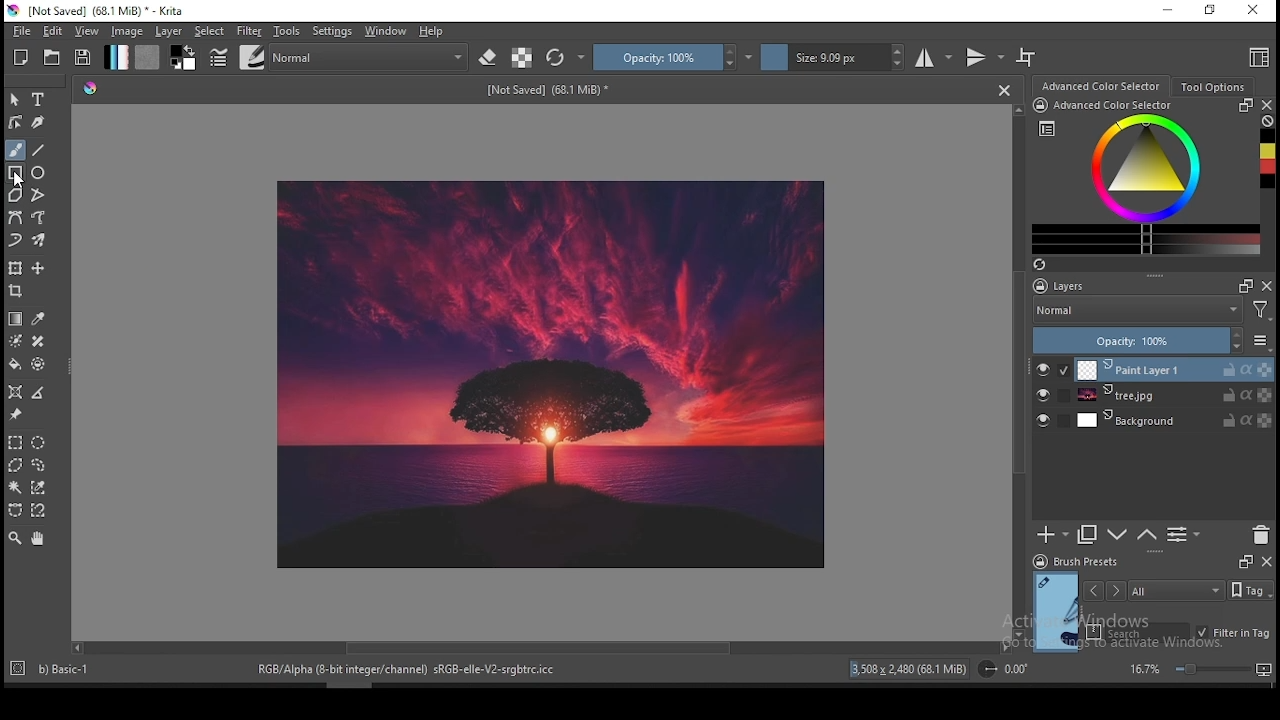 The image size is (1280, 720). What do you see at coordinates (1199, 669) in the screenshot?
I see `zoom ` at bounding box center [1199, 669].